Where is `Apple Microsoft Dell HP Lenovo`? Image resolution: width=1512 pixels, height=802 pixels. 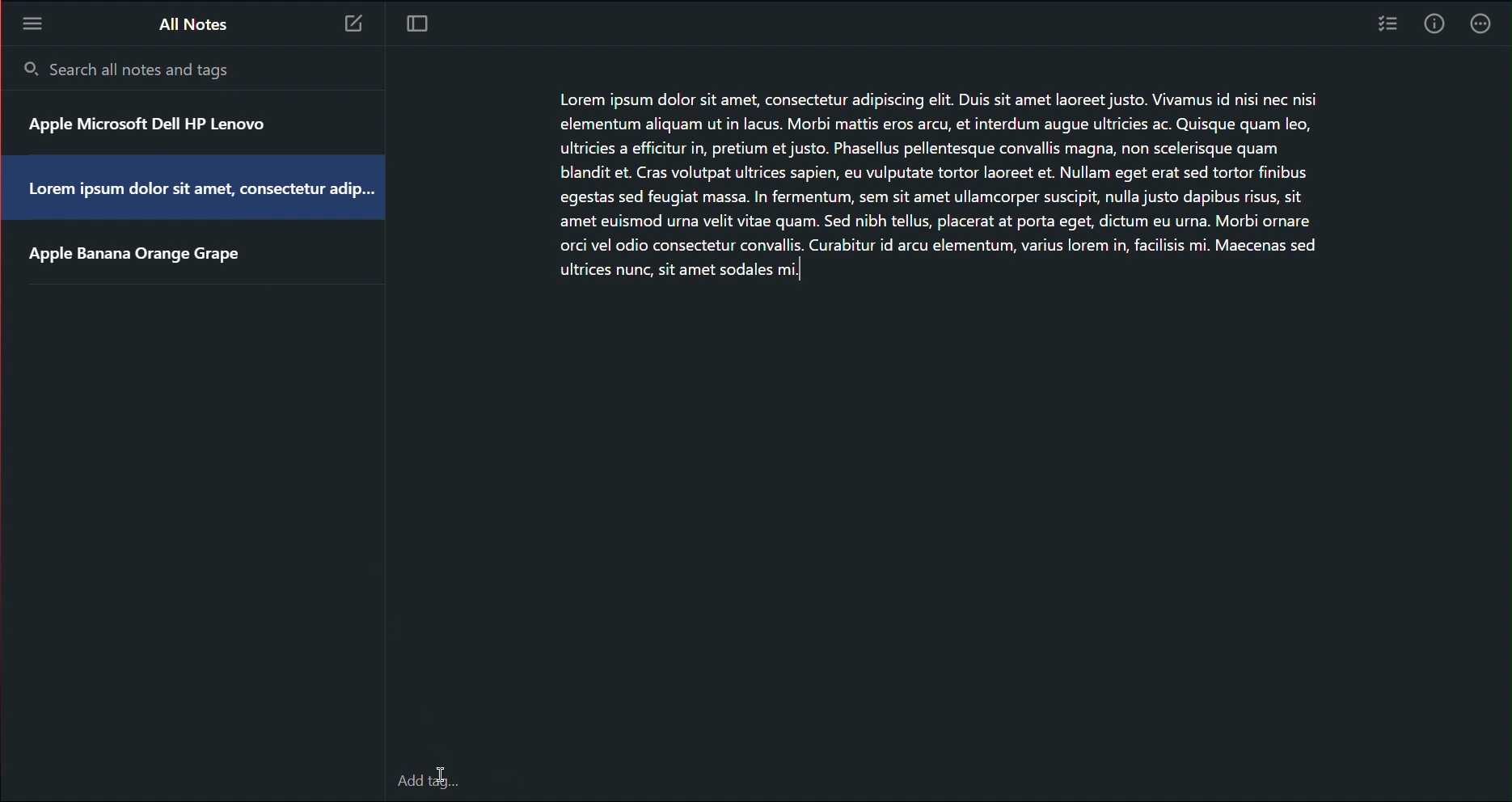 Apple Microsoft Dell HP Lenovo is located at coordinates (156, 128).